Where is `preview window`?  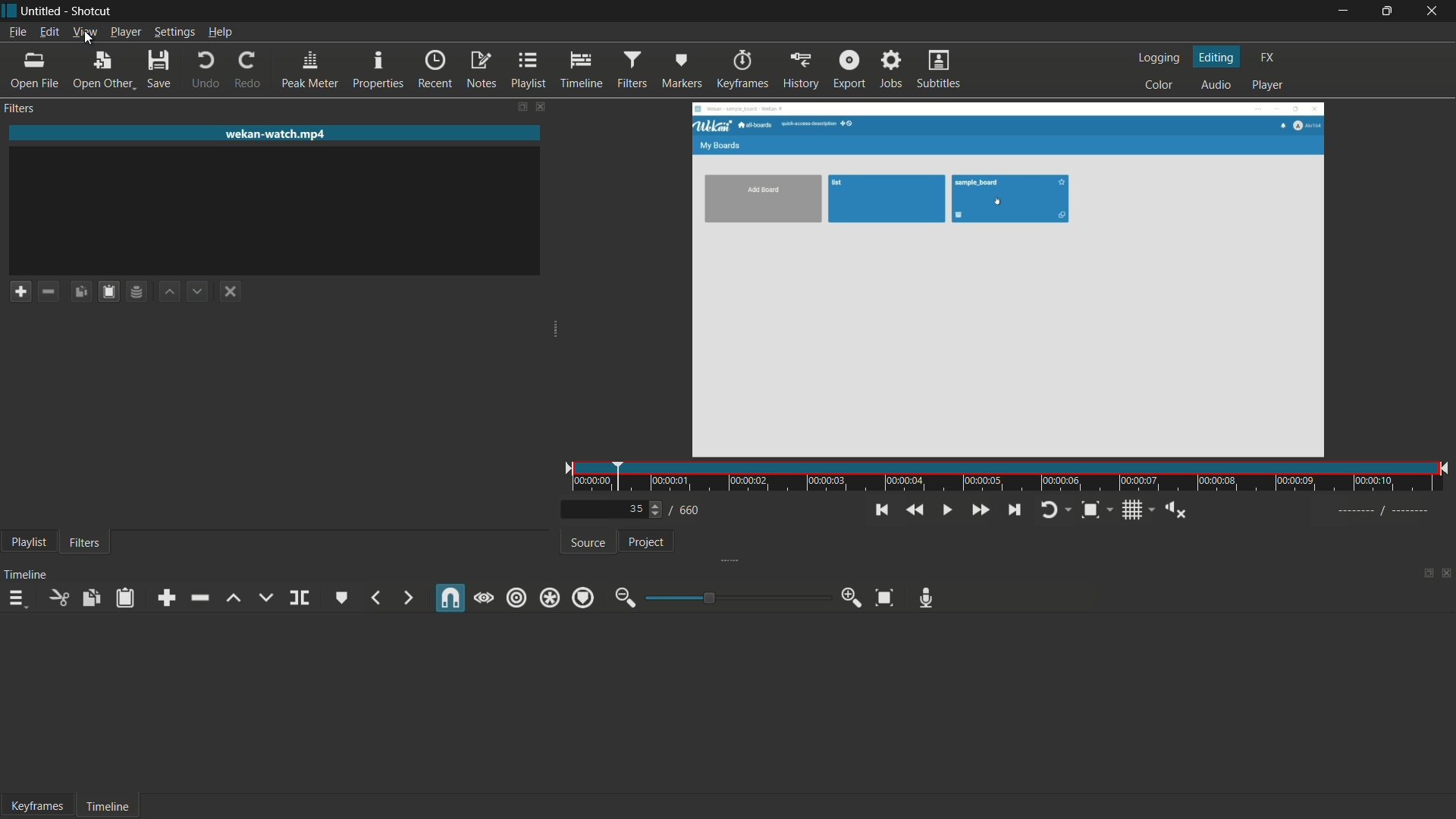 preview window is located at coordinates (1007, 281).